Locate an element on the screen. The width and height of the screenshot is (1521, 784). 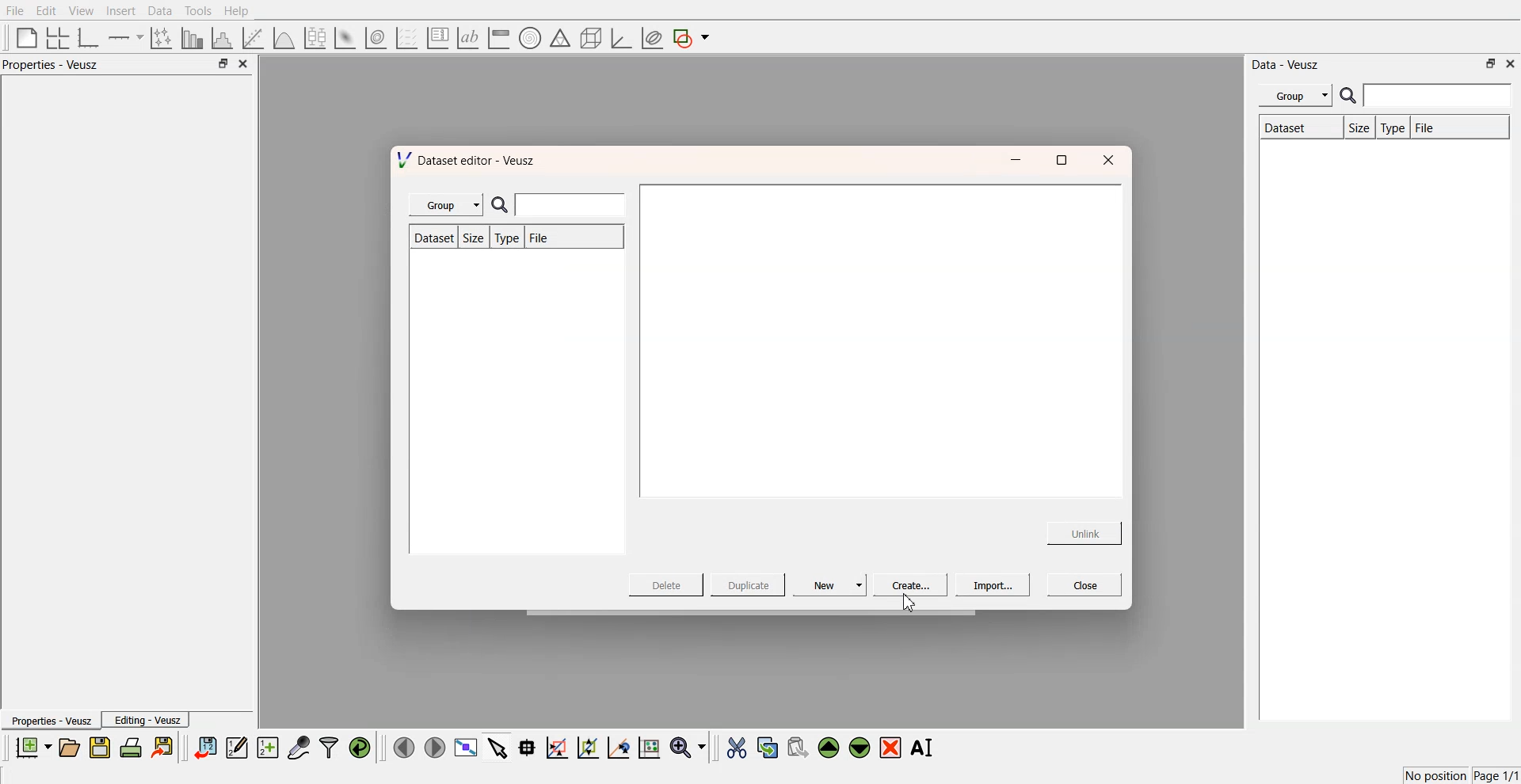
save is located at coordinates (102, 748).